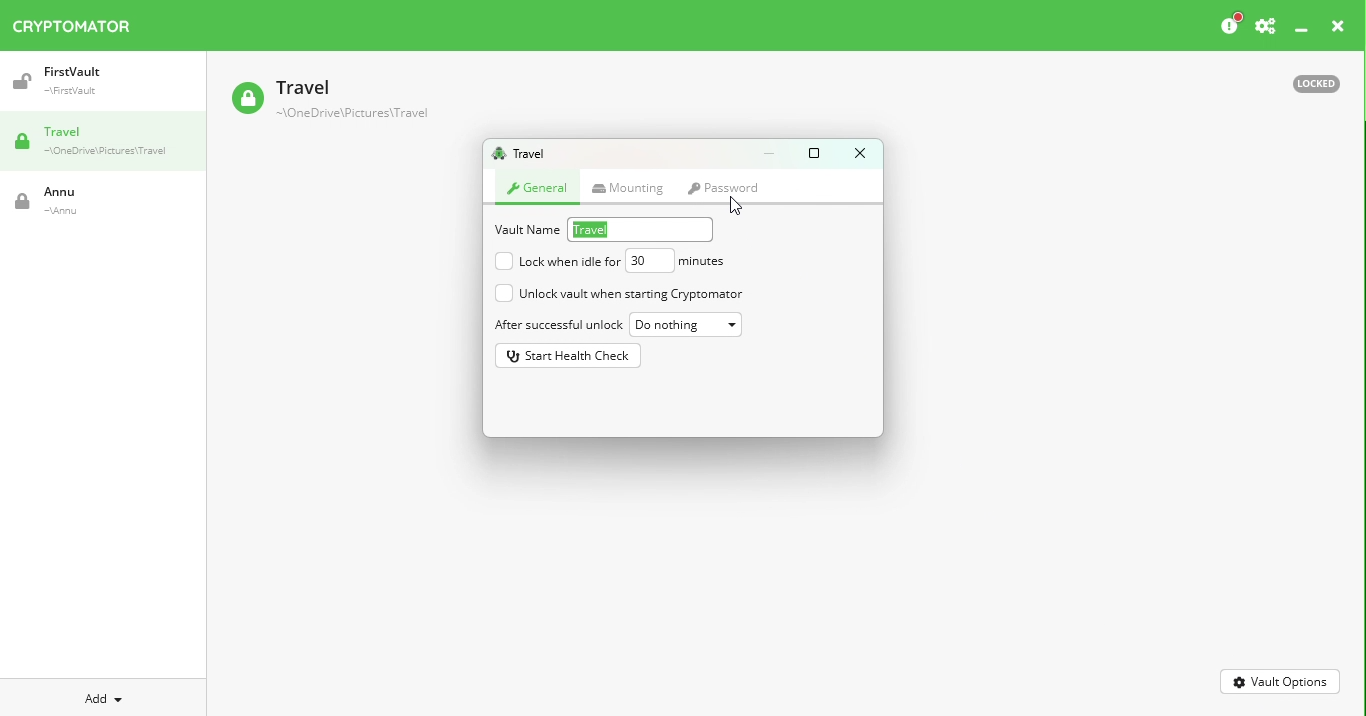 Image resolution: width=1366 pixels, height=716 pixels. What do you see at coordinates (85, 201) in the screenshot?
I see `Vault` at bounding box center [85, 201].